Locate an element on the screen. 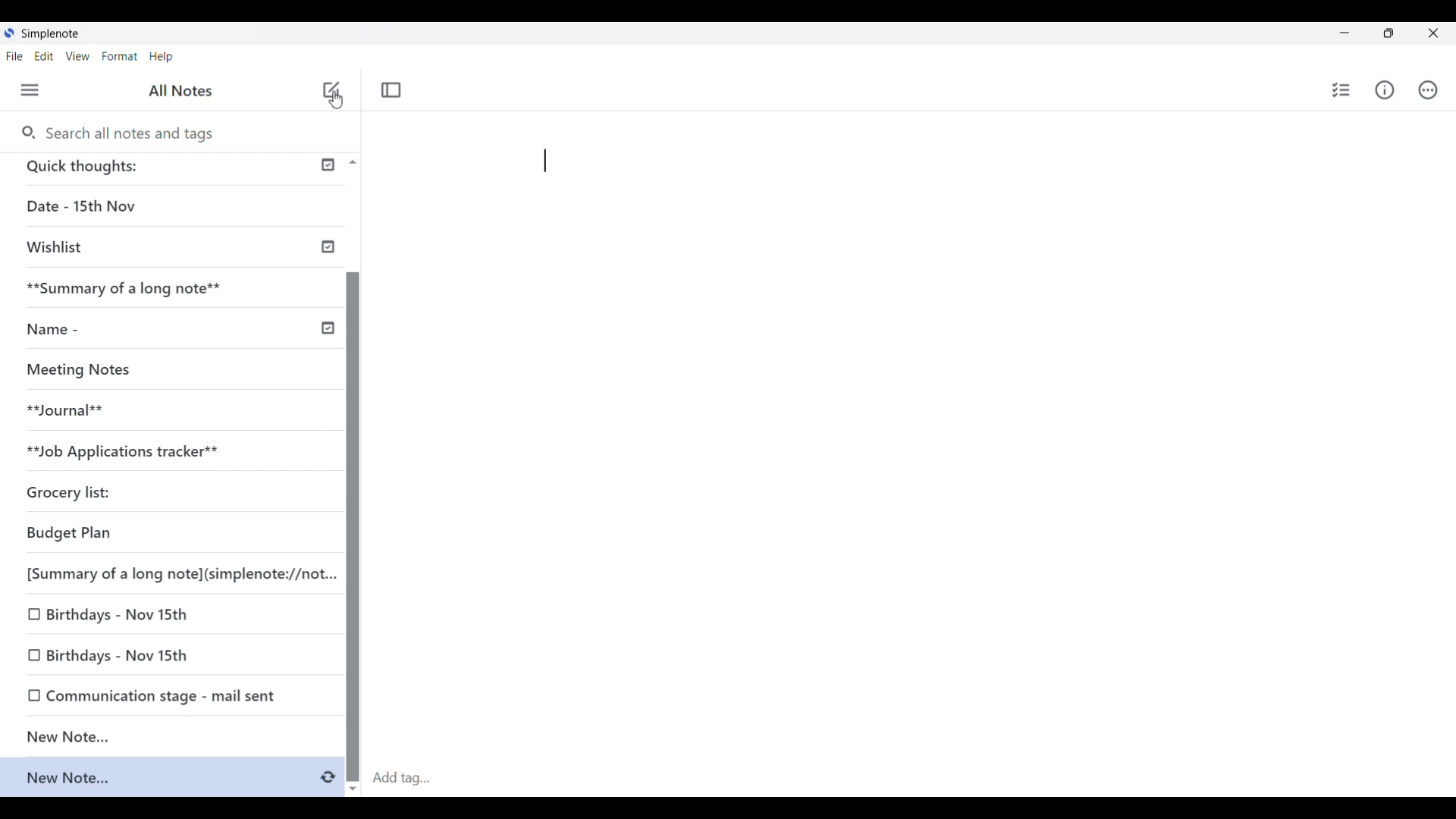 This screenshot has height=819, width=1456. 0 Birthdays - Nov 15th is located at coordinates (128, 654).